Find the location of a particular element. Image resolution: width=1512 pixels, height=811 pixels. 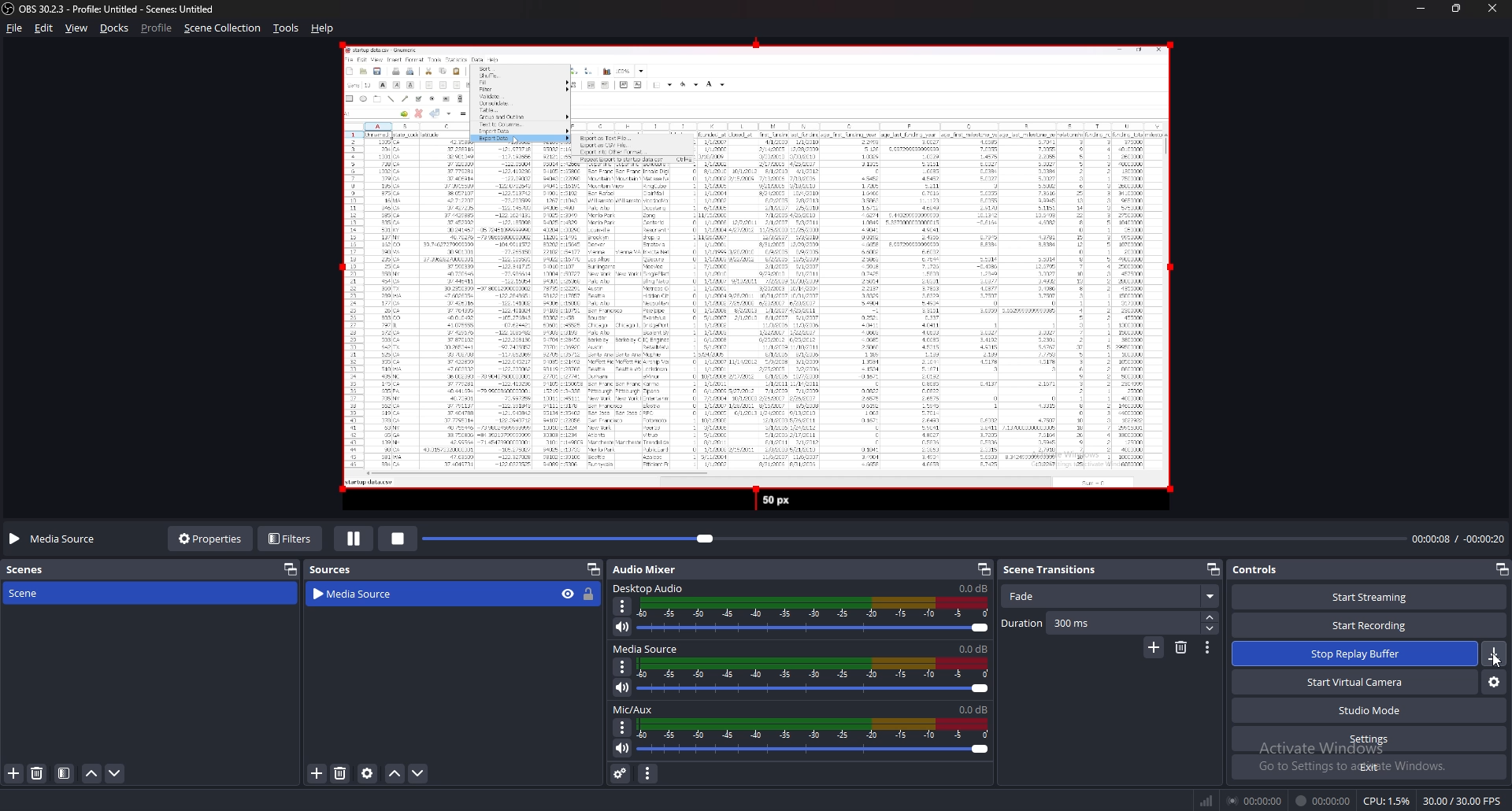

filters is located at coordinates (291, 539).